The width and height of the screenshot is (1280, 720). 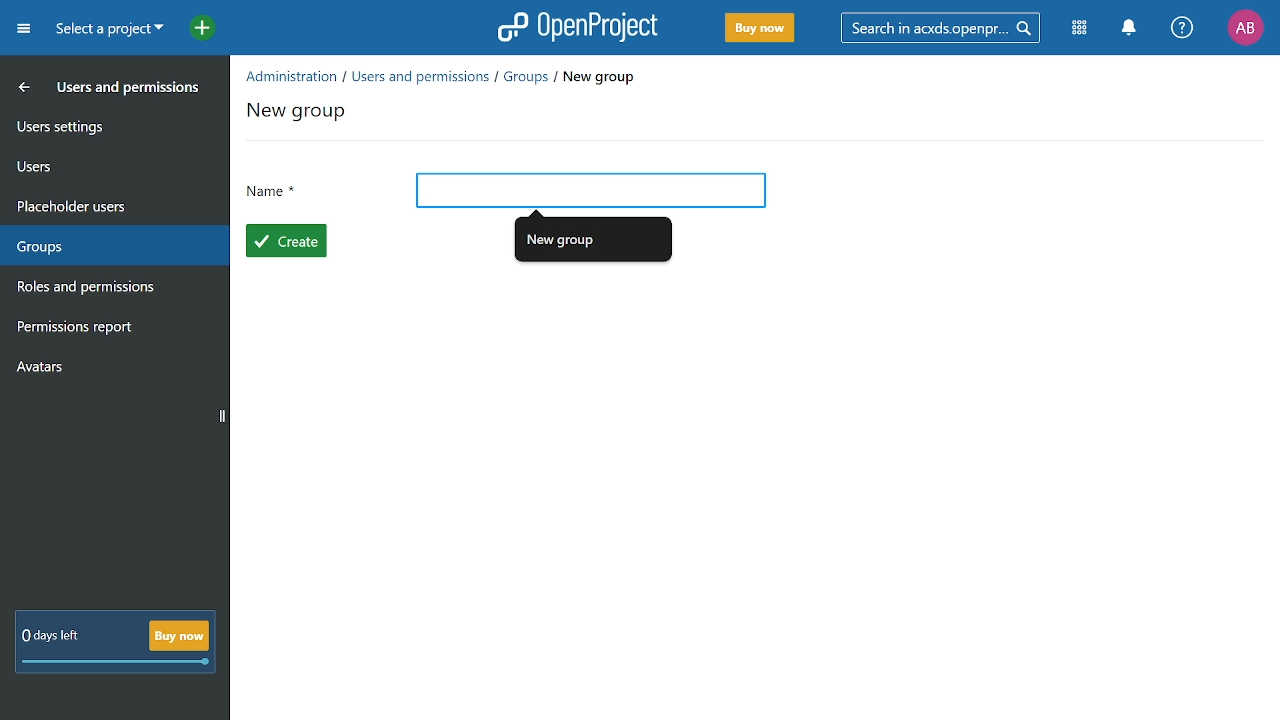 I want to click on Path to current location "Administration/Users and permissions/Groups/New group", so click(x=442, y=77).